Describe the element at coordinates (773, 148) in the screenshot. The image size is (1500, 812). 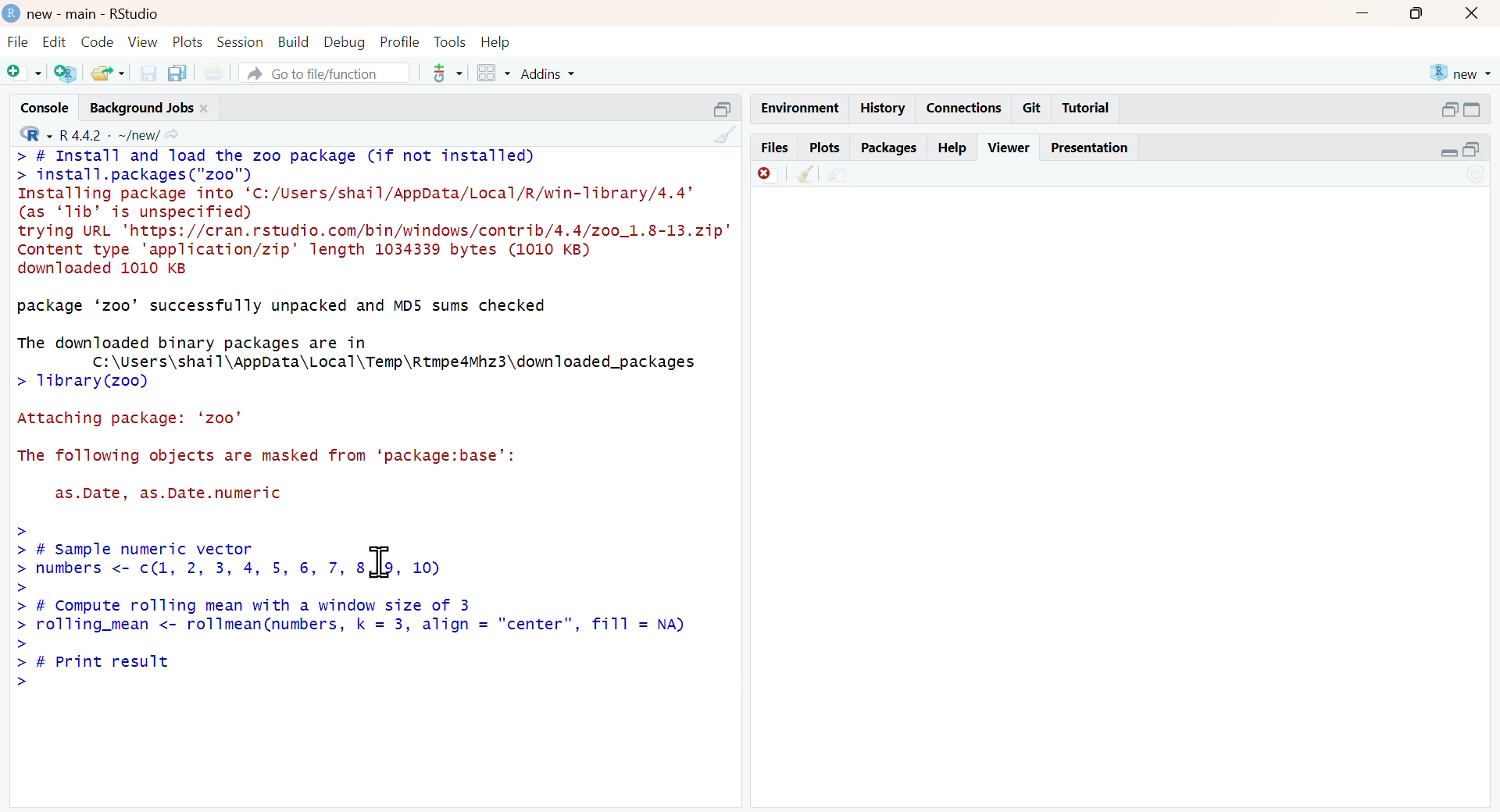
I see `files` at that location.